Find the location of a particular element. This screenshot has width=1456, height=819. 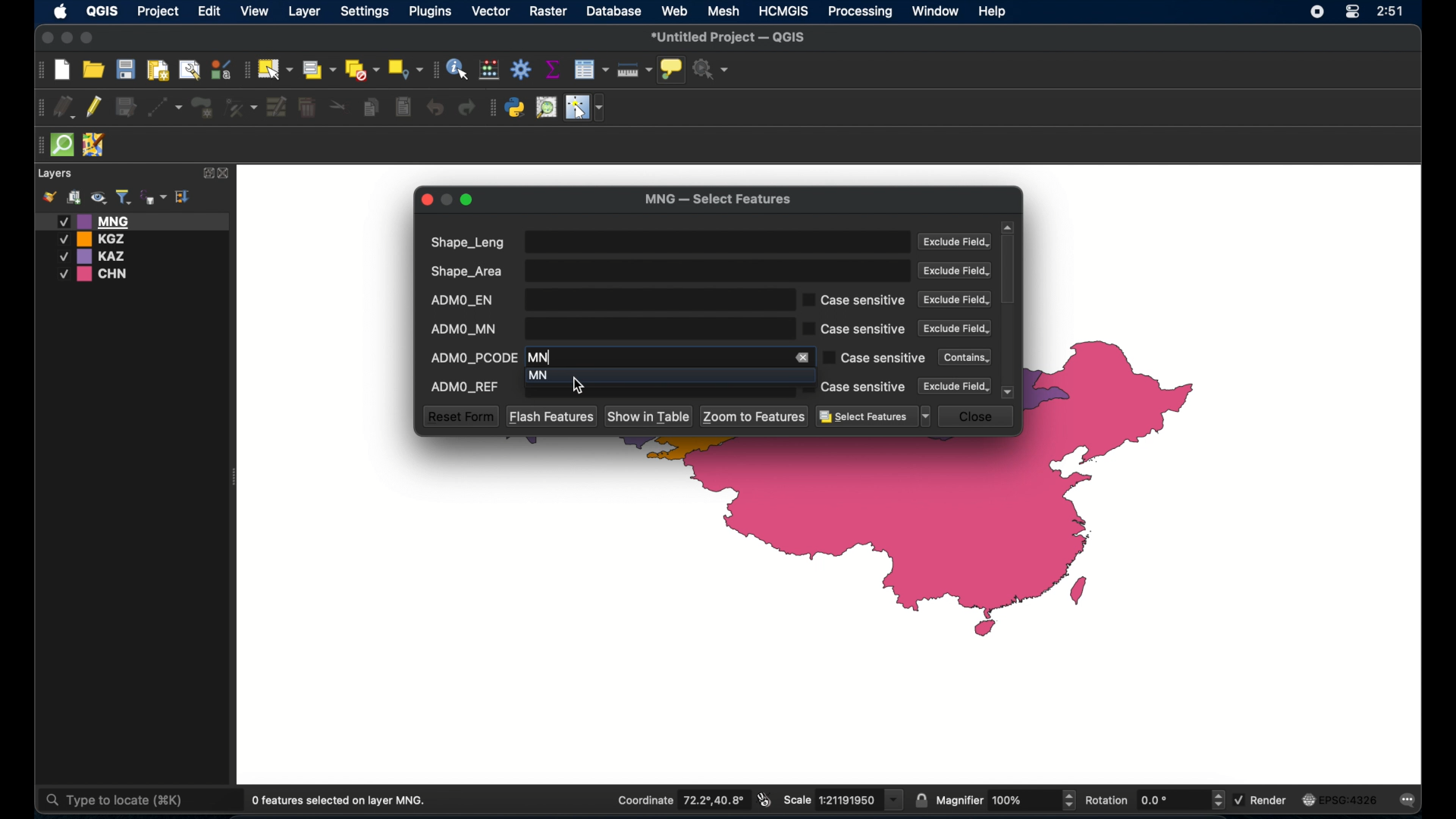

switches mouse to configurable pointer is located at coordinates (585, 108).